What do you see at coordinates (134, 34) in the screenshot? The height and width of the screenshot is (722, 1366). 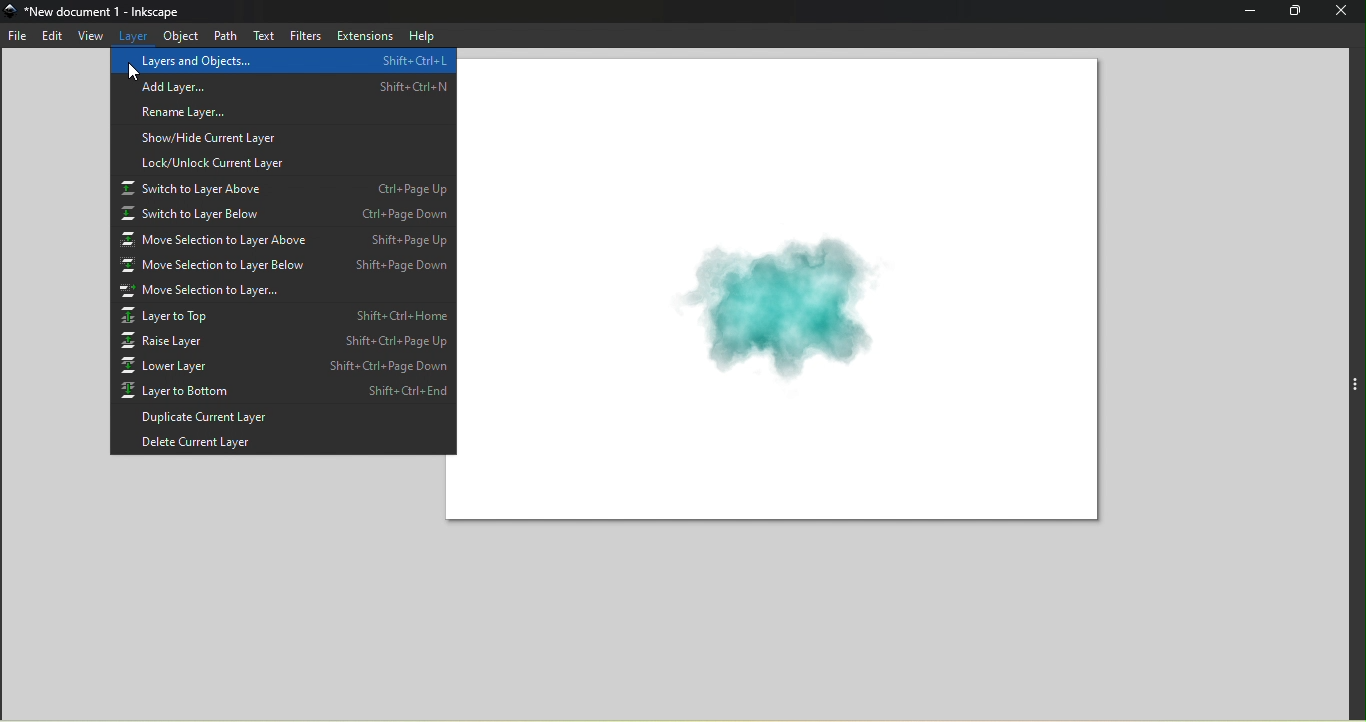 I see `Layer` at bounding box center [134, 34].